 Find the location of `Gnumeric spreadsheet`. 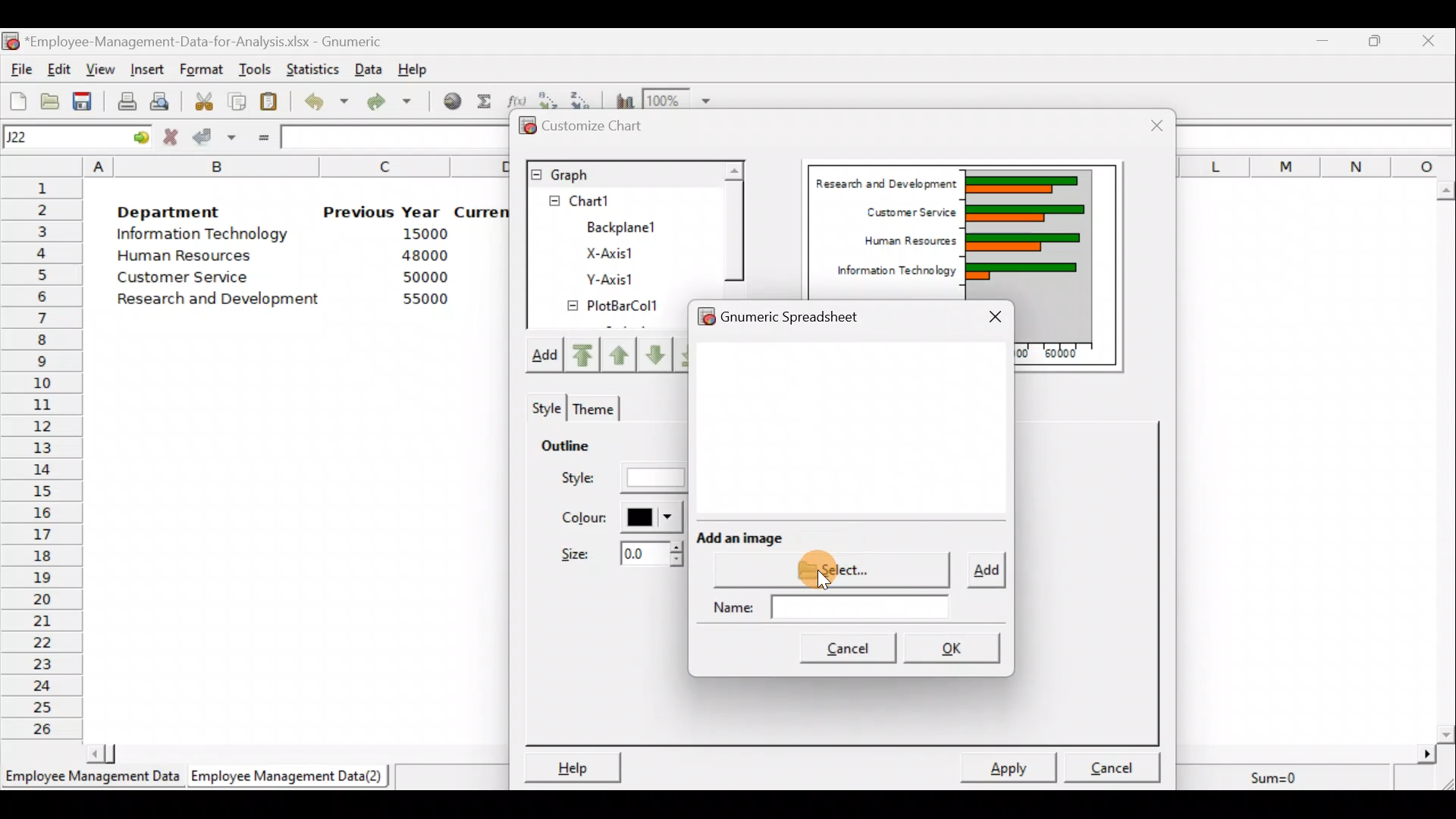

Gnumeric spreadsheet is located at coordinates (809, 313).